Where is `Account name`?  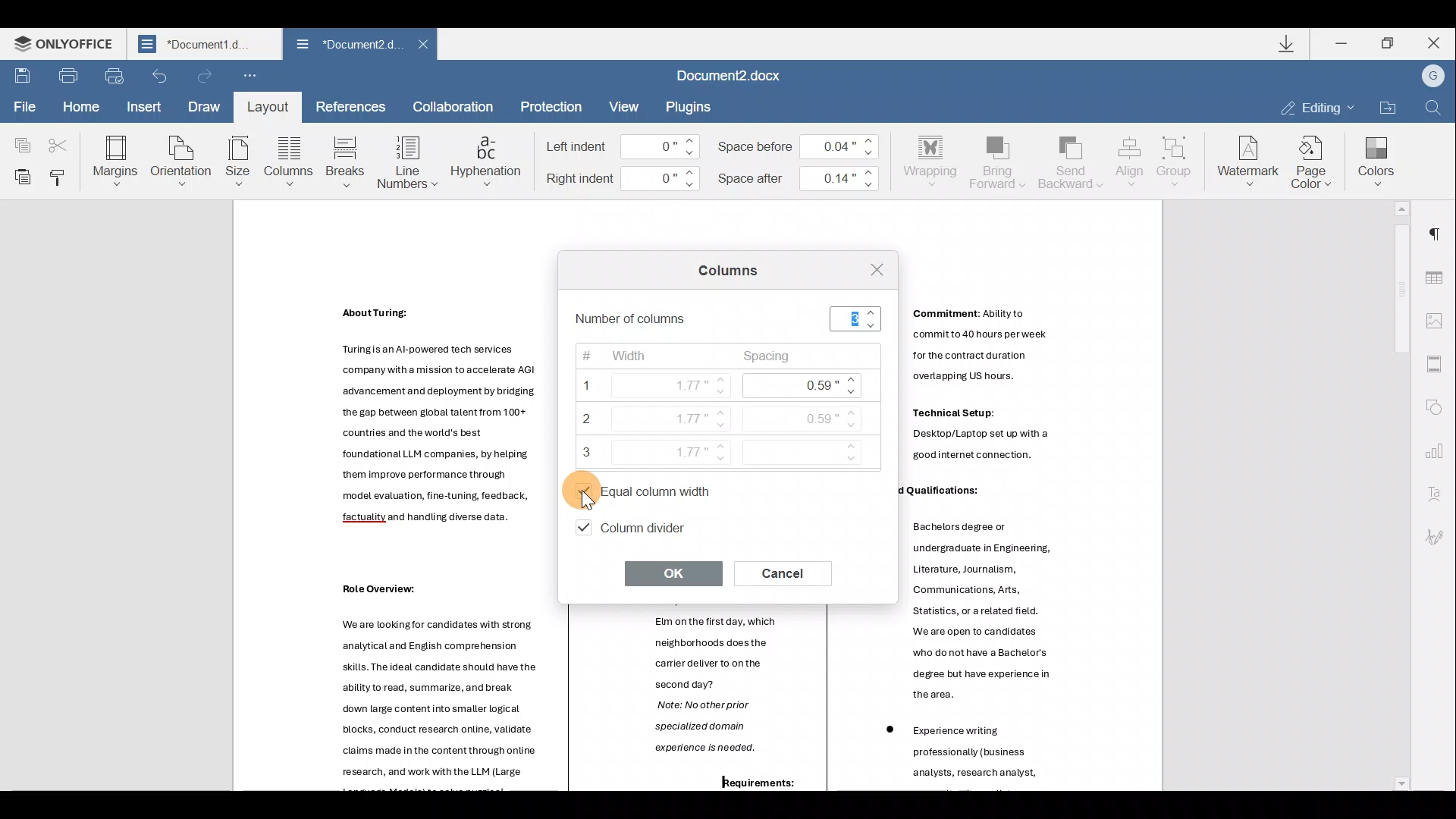 Account name is located at coordinates (1432, 77).